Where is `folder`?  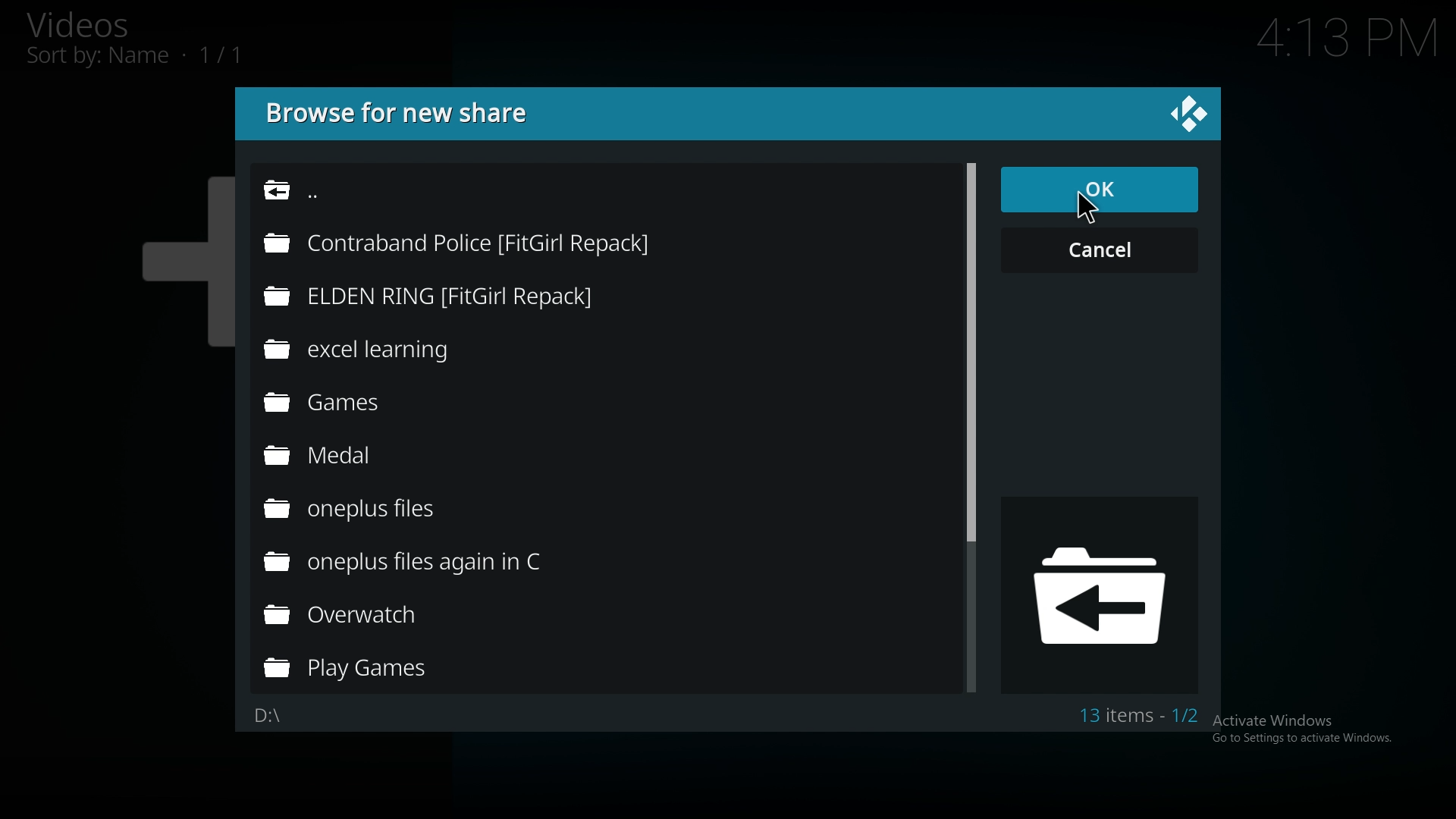
folder is located at coordinates (361, 405).